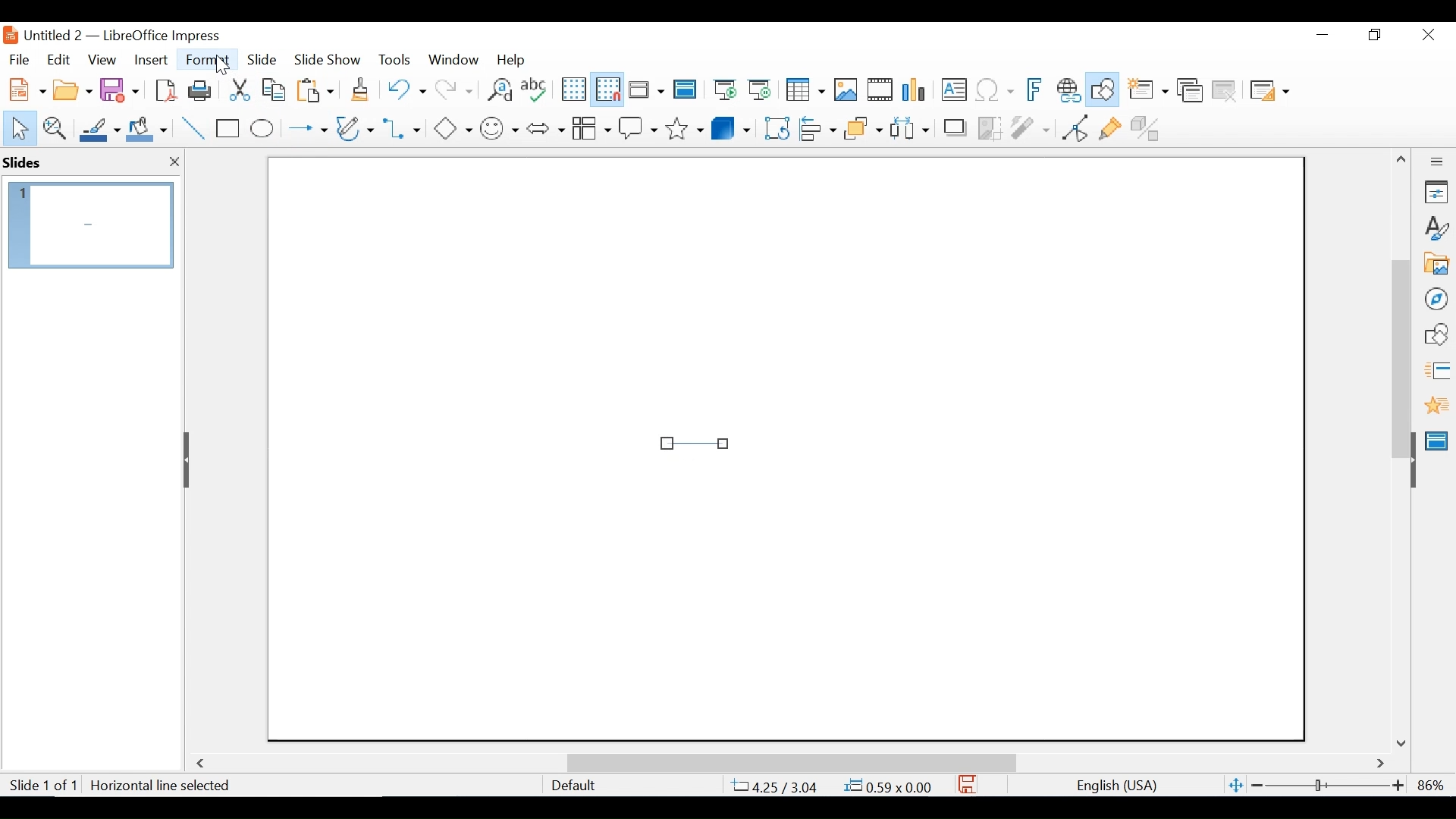 This screenshot has height=819, width=1456. Describe the element at coordinates (42, 786) in the screenshot. I see `Slide 1 of 1` at that location.